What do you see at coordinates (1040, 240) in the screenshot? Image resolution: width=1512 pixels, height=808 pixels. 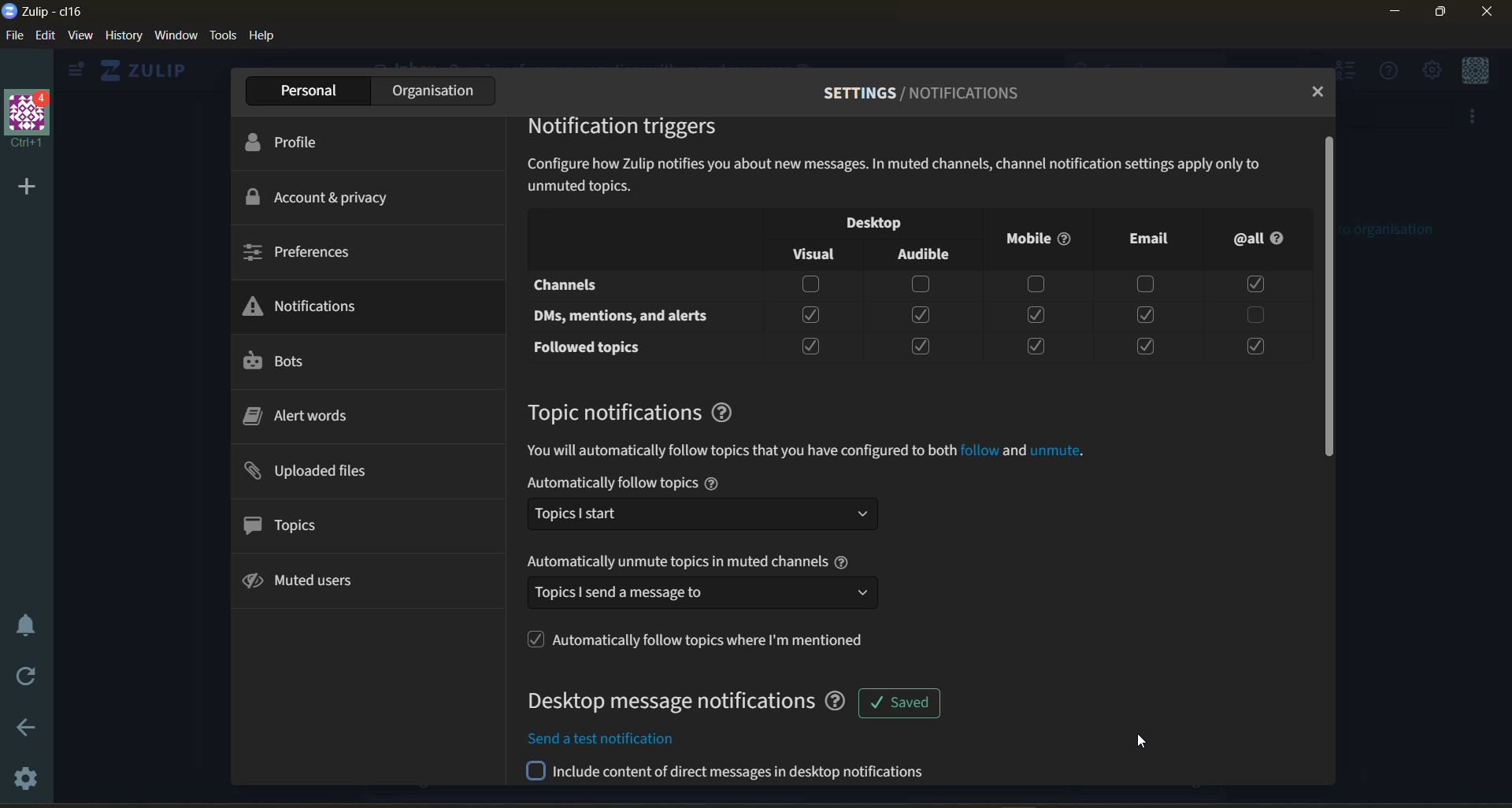 I see `Mobile` at bounding box center [1040, 240].